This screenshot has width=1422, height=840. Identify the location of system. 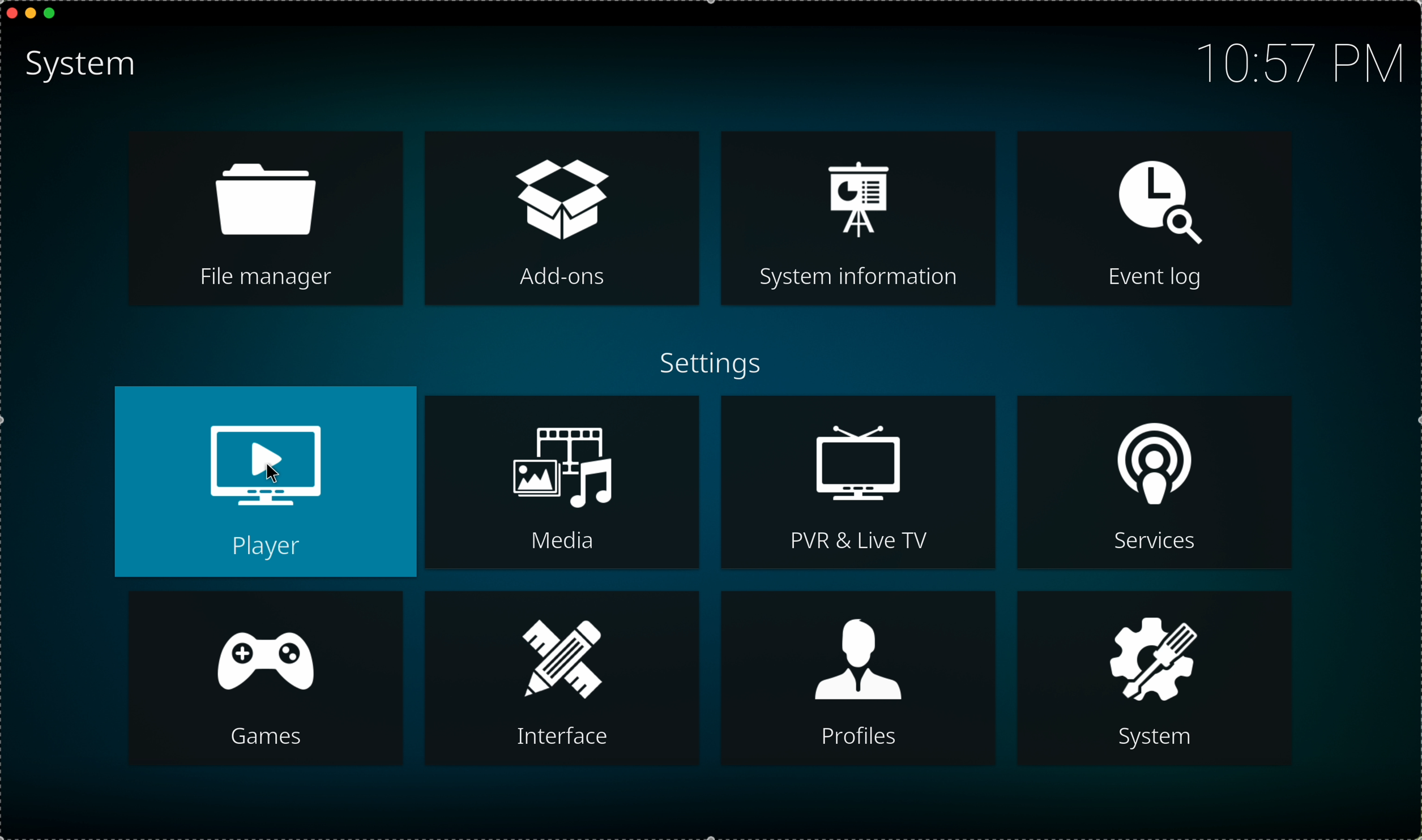
(85, 64).